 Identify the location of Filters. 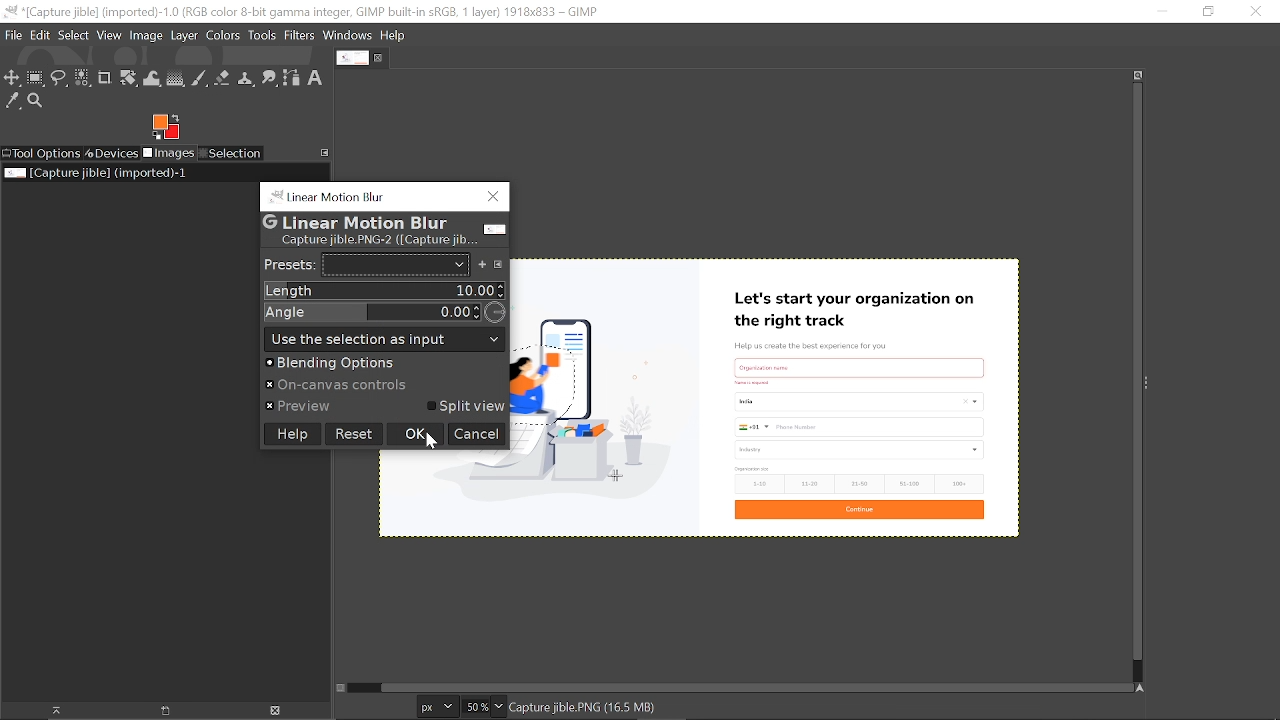
(300, 36).